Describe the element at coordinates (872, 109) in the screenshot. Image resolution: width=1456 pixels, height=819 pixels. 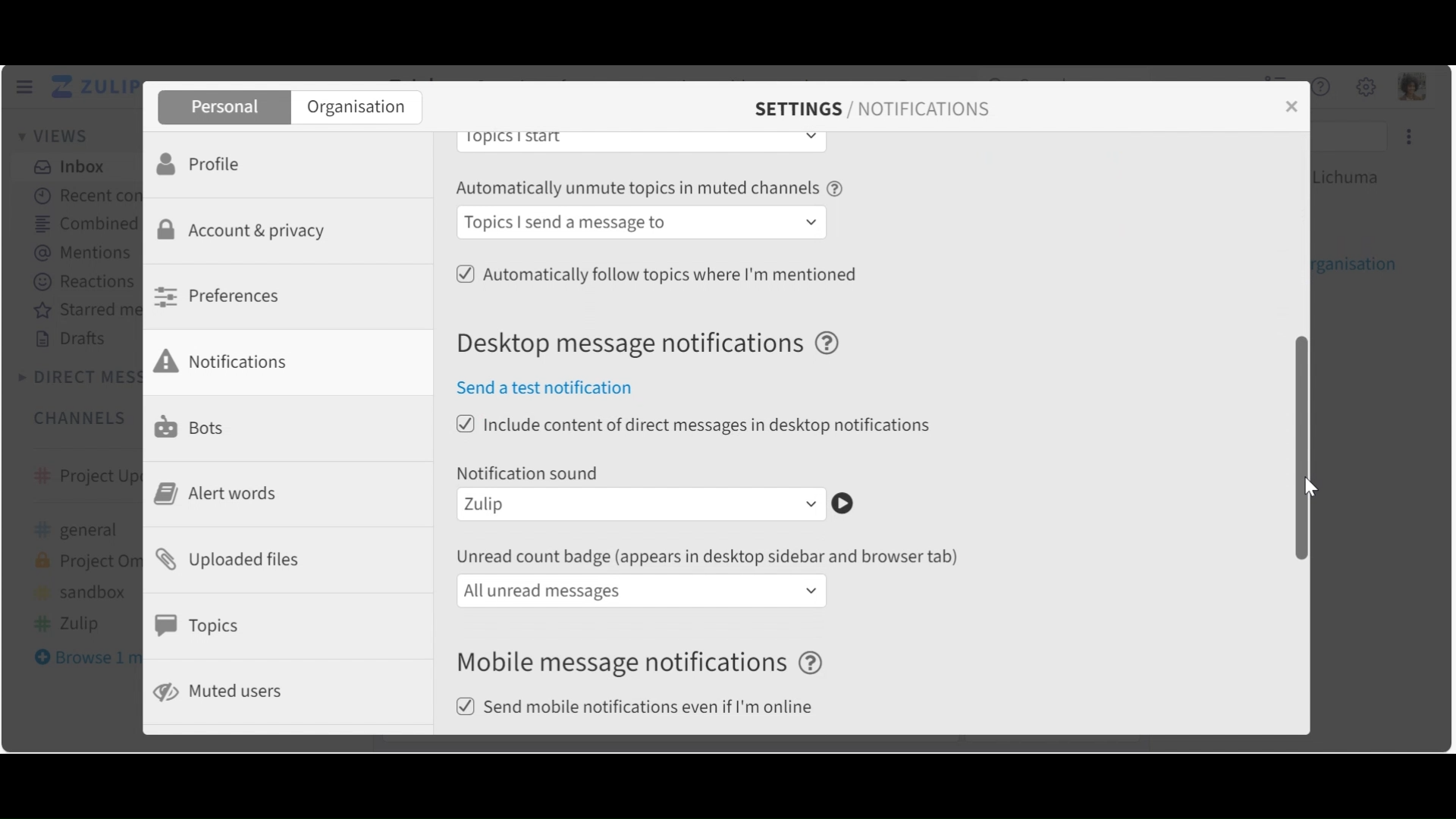
I see `SETTINGS / NOTIFICATIONS` at that location.